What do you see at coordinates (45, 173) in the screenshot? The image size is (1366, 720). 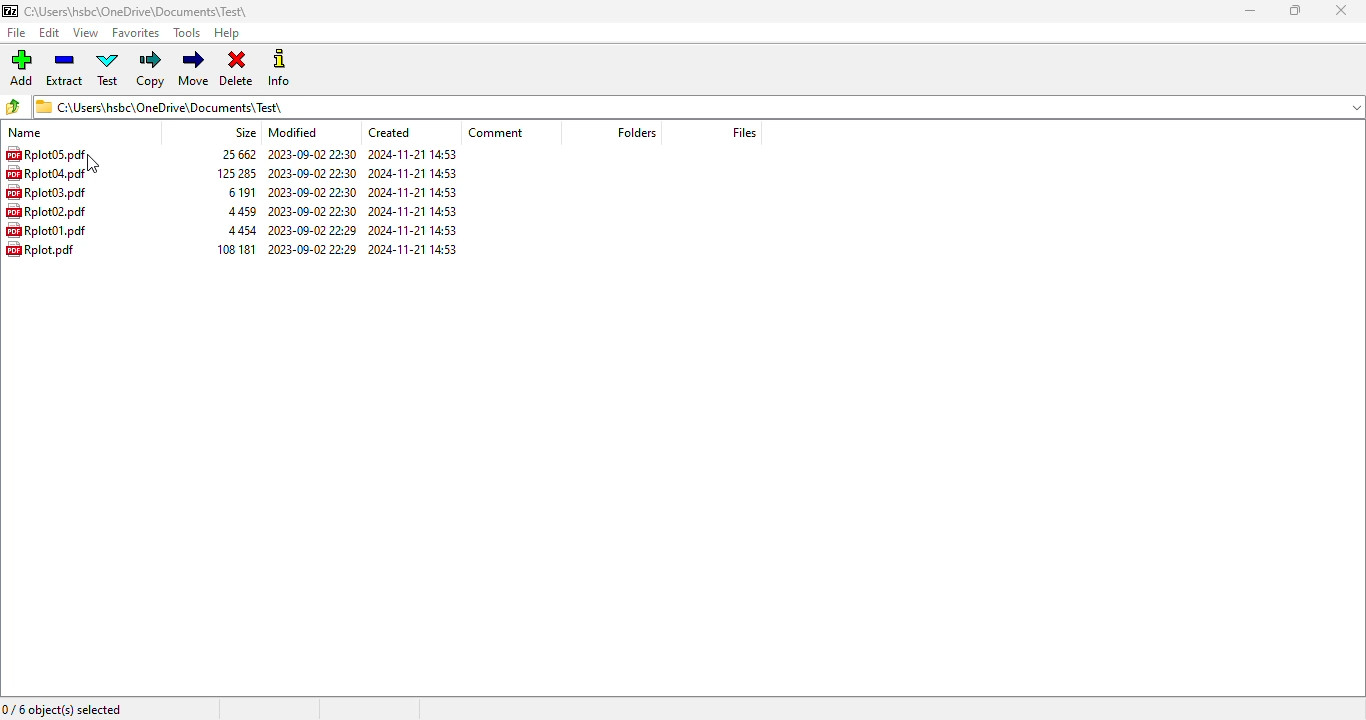 I see `rplot04` at bounding box center [45, 173].